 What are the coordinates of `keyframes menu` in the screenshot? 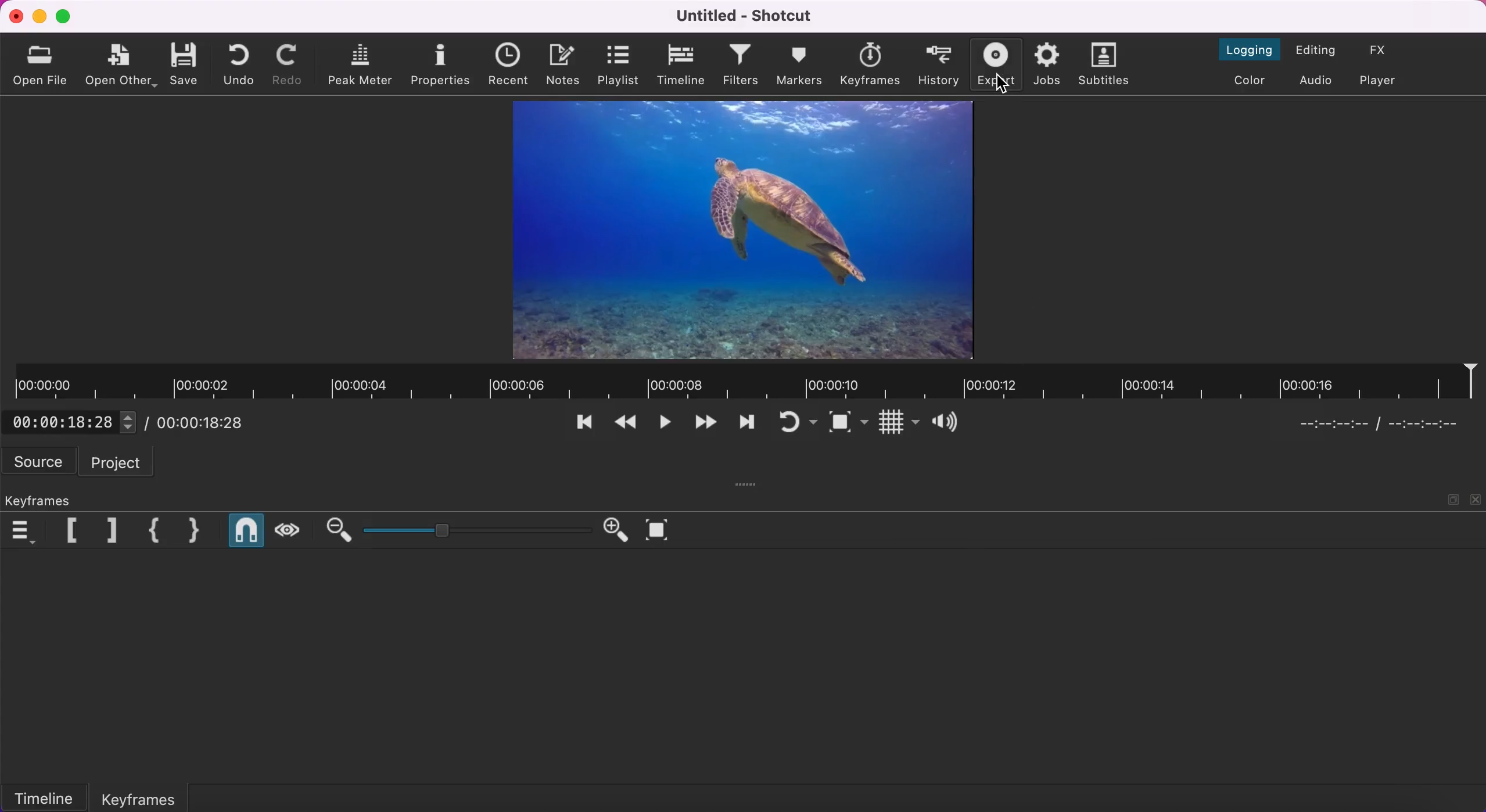 It's located at (22, 530).